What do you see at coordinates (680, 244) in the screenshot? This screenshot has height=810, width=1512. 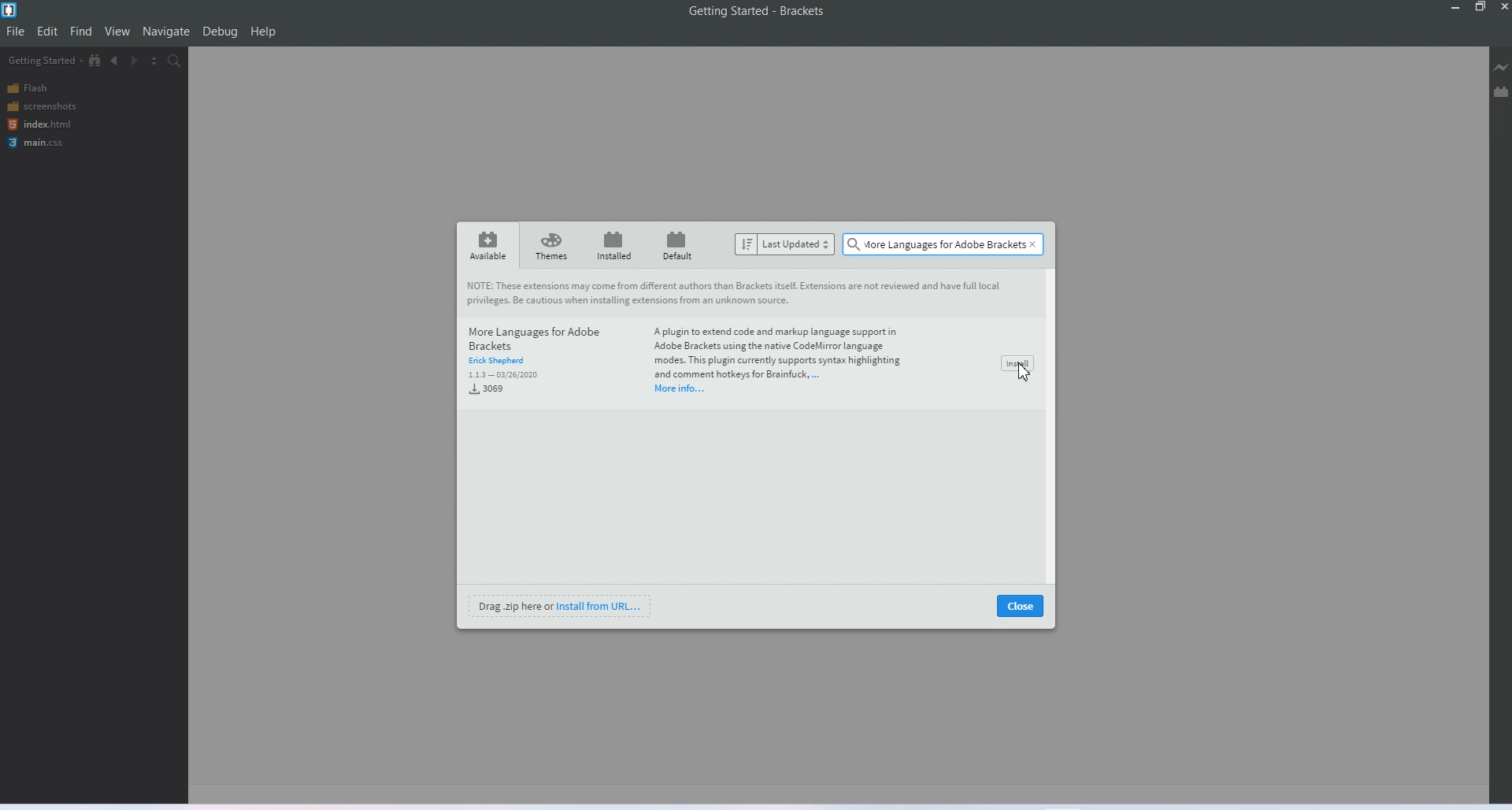 I see `default` at bounding box center [680, 244].